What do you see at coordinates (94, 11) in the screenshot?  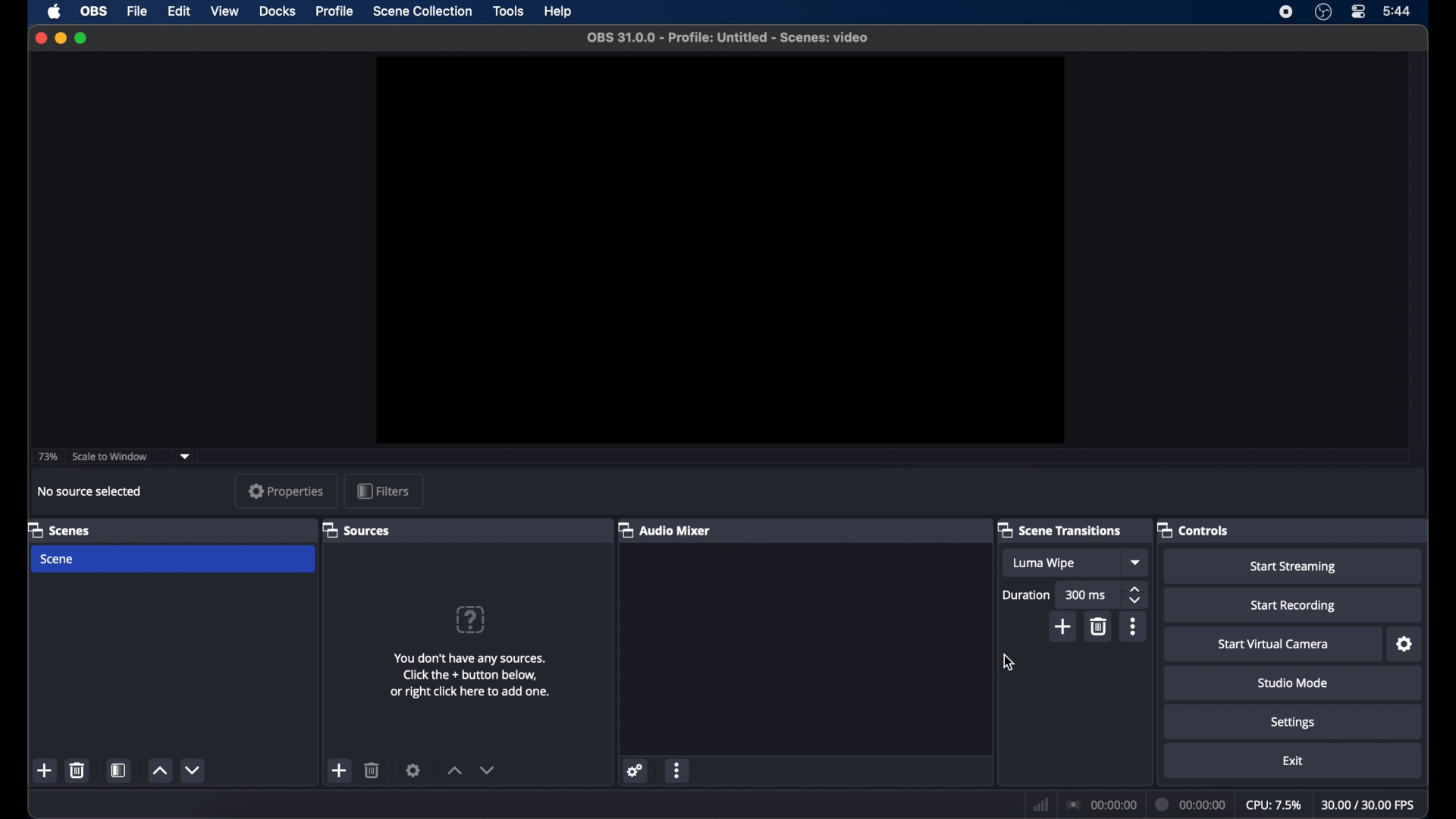 I see `obs` at bounding box center [94, 11].